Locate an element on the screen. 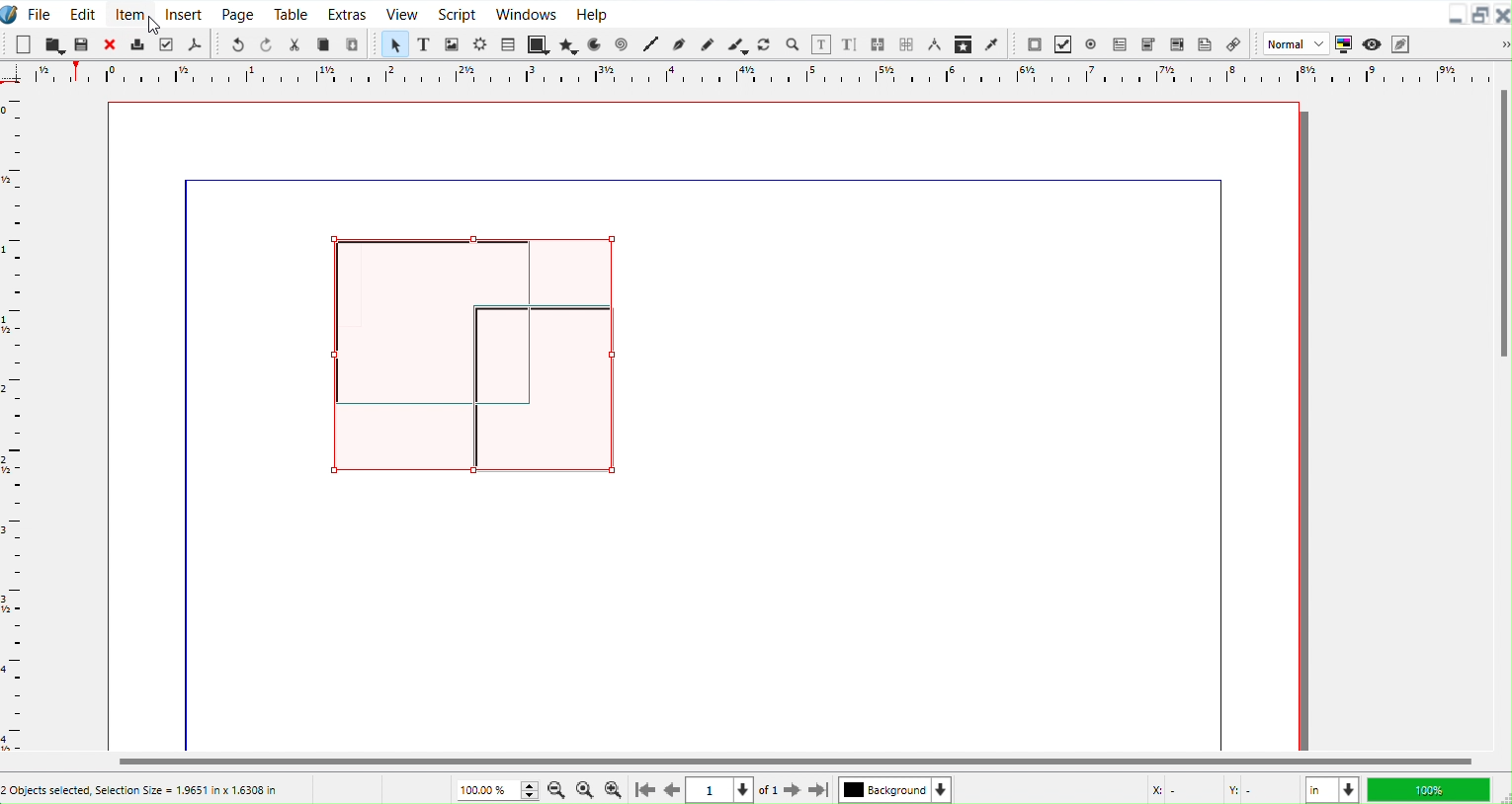  Edit is located at coordinates (82, 12).